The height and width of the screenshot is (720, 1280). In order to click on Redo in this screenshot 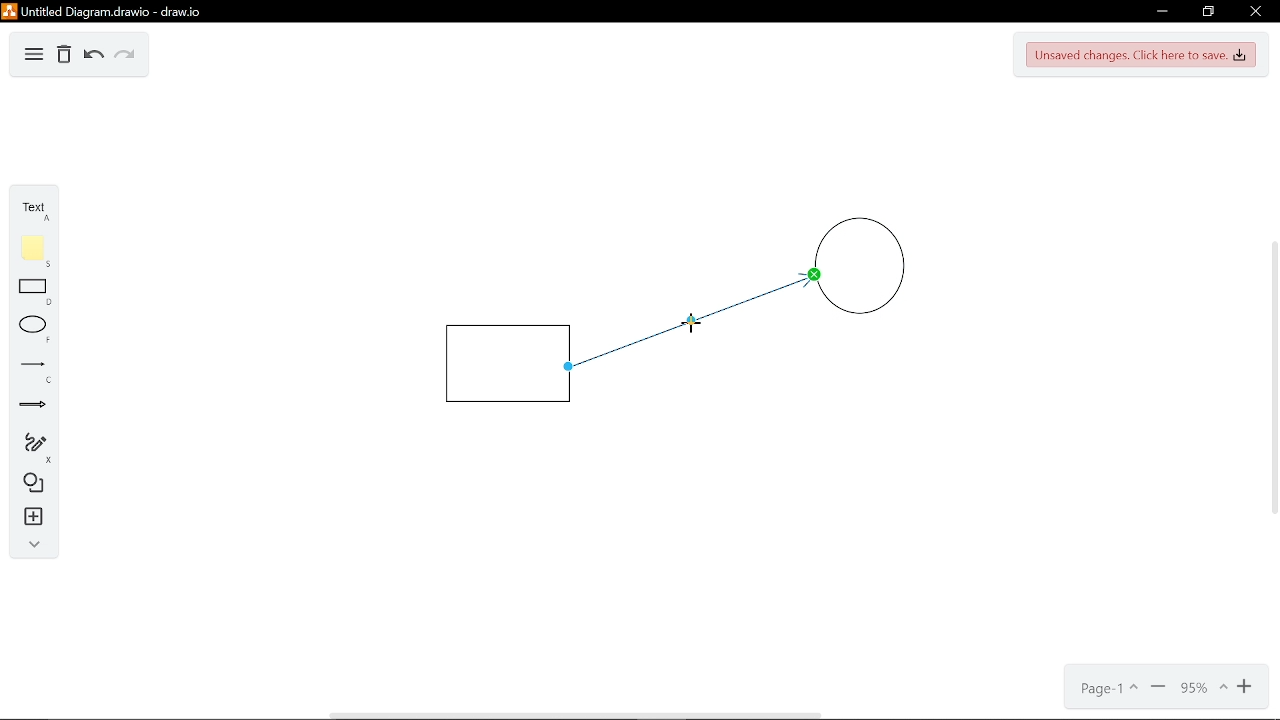, I will do `click(126, 56)`.